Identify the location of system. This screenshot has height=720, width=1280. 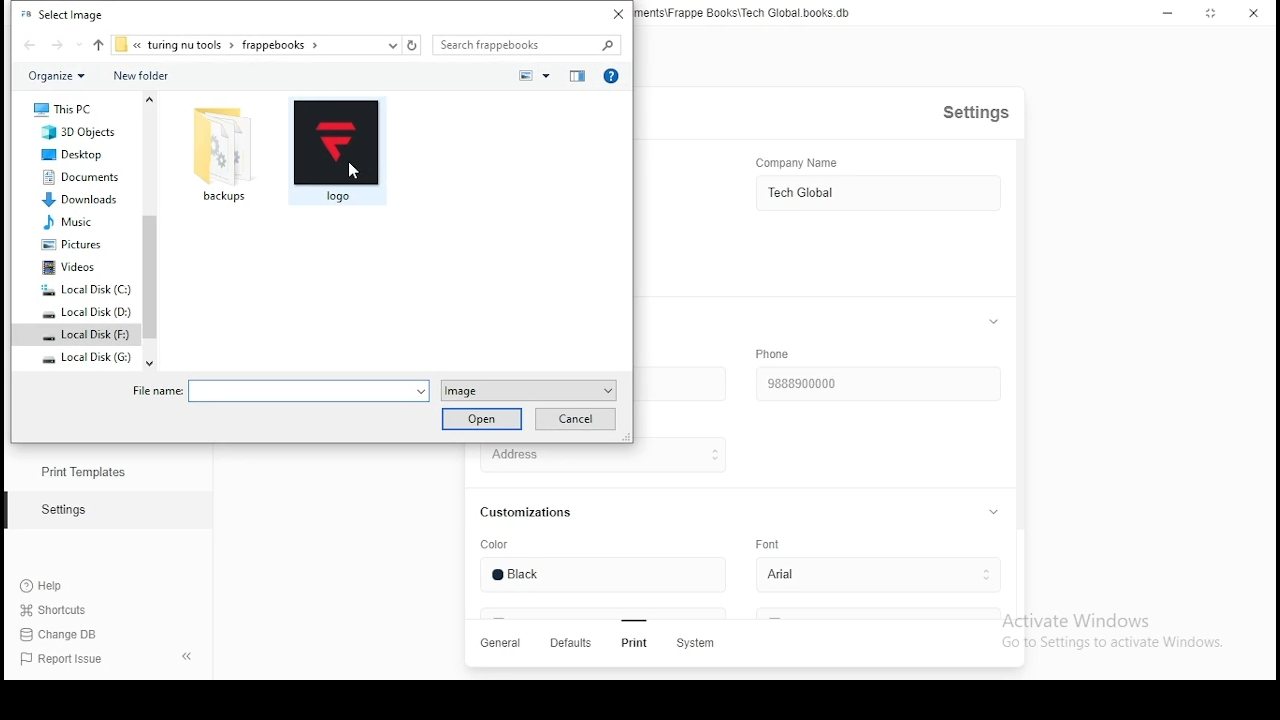
(700, 645).